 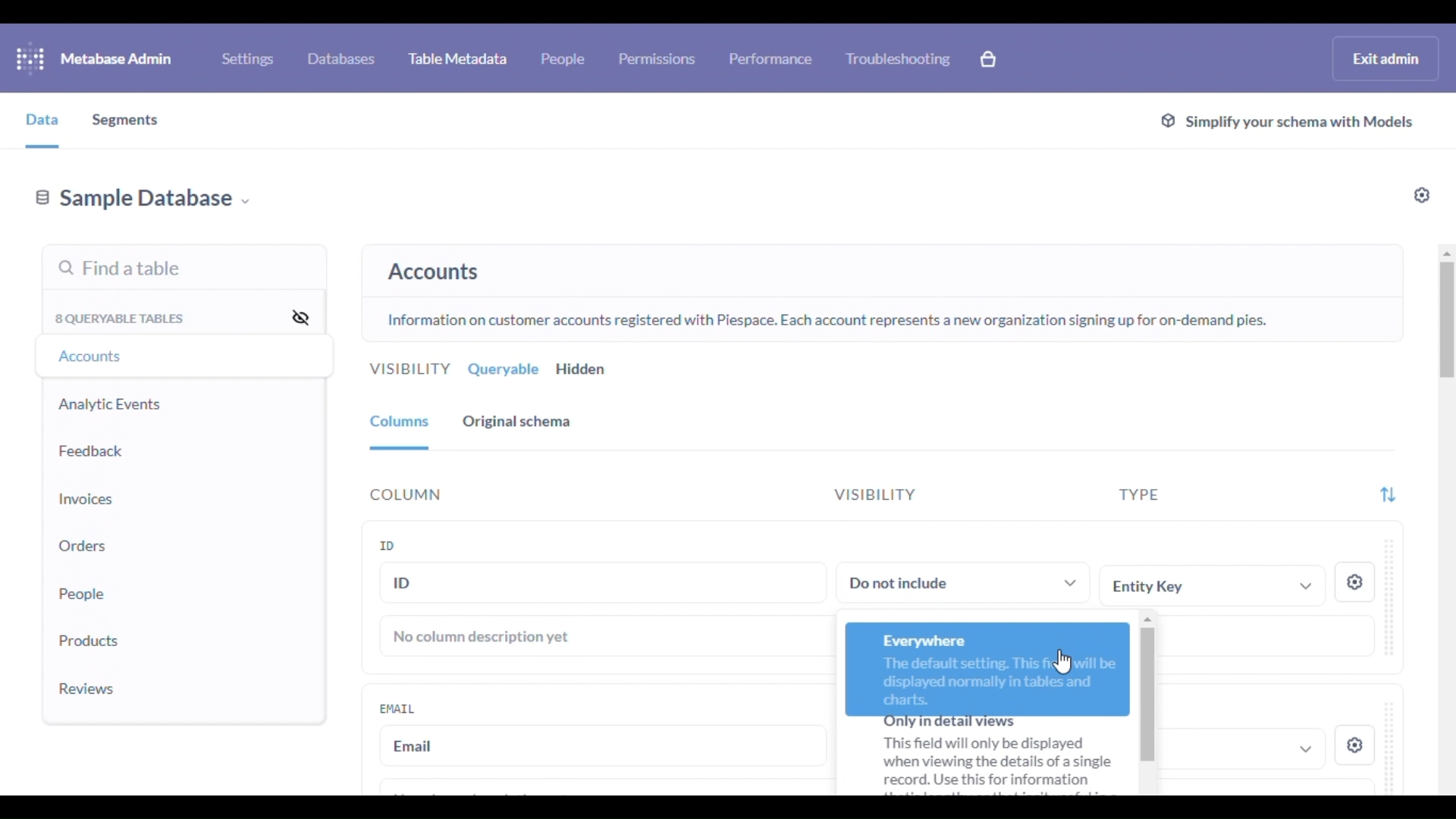 I want to click on ID, so click(x=602, y=582).